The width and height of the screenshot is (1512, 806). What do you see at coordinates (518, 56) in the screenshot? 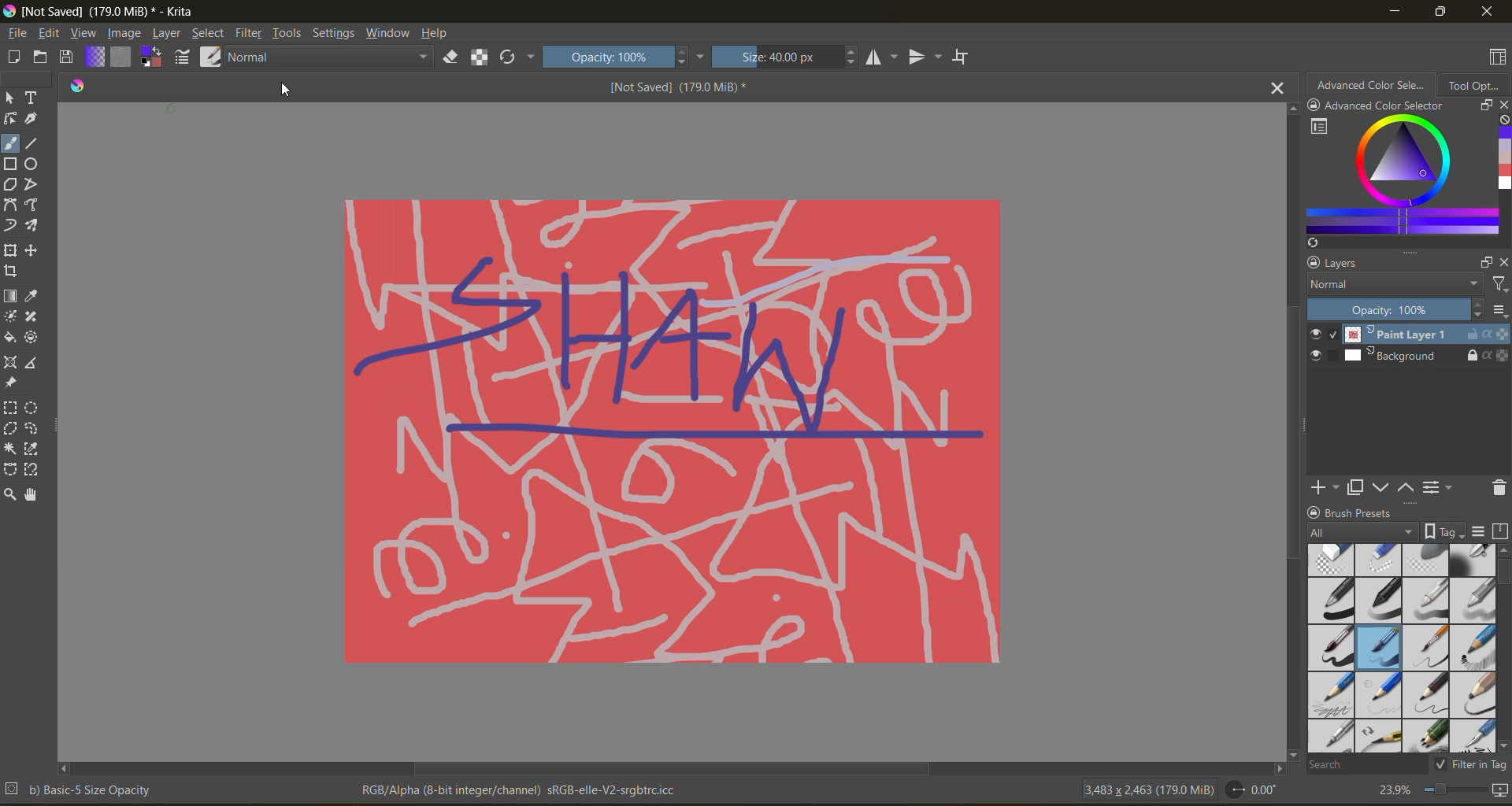
I see `reload original preset` at bounding box center [518, 56].